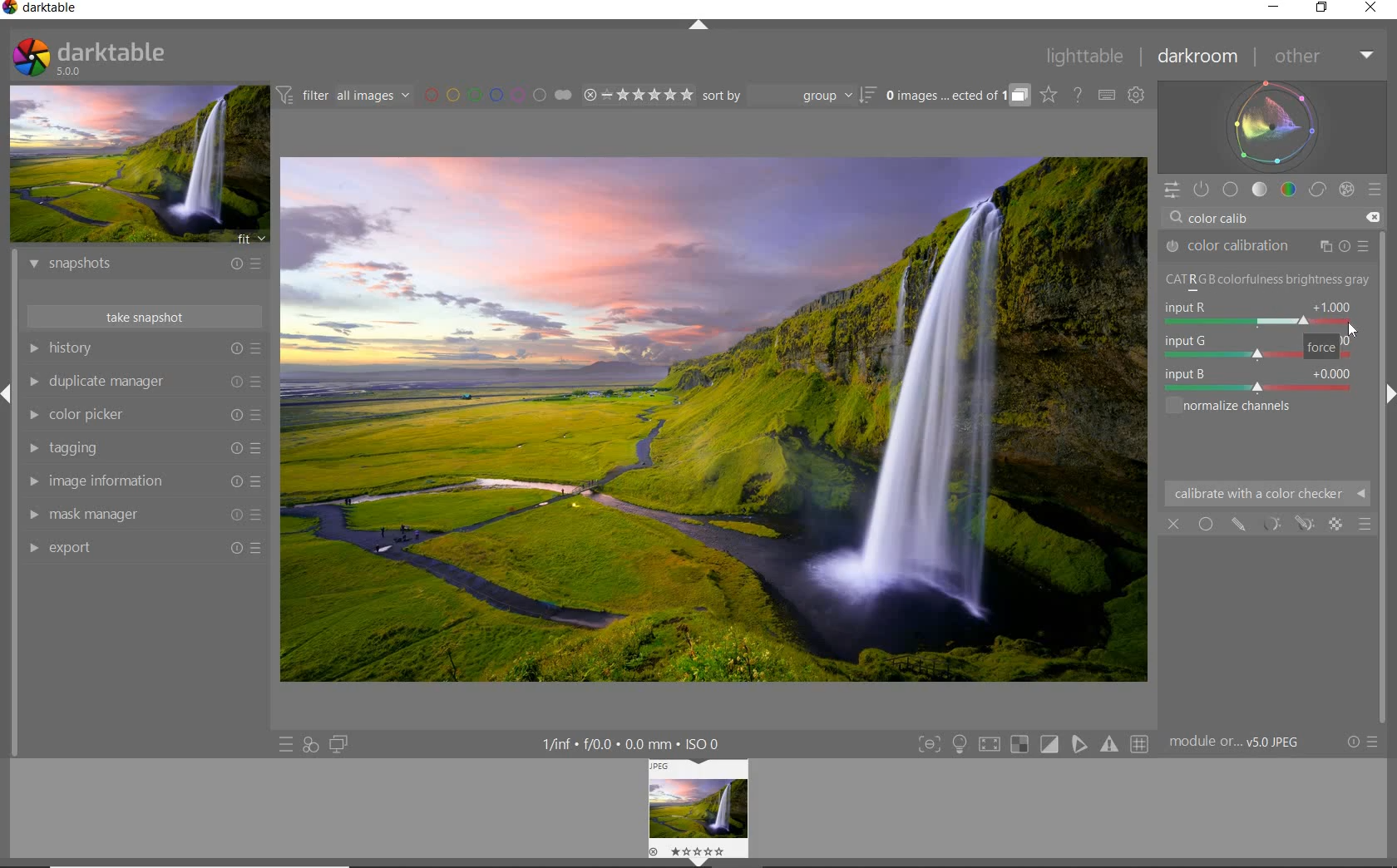  Describe the element at coordinates (1256, 379) in the screenshot. I see `INPUT B` at that location.